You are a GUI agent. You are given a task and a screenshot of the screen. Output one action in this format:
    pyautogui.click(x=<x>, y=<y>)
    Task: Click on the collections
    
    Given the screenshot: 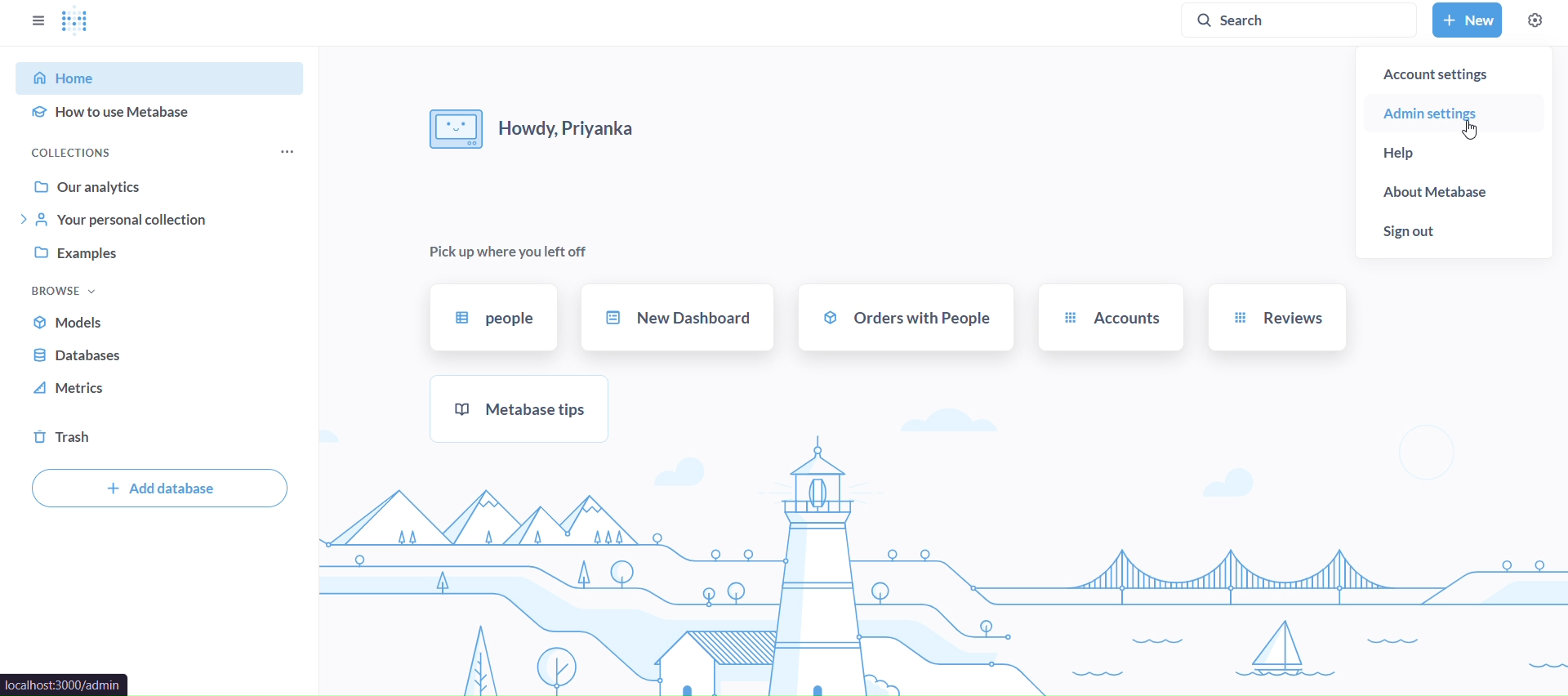 What is the action you would take?
    pyautogui.click(x=95, y=151)
    